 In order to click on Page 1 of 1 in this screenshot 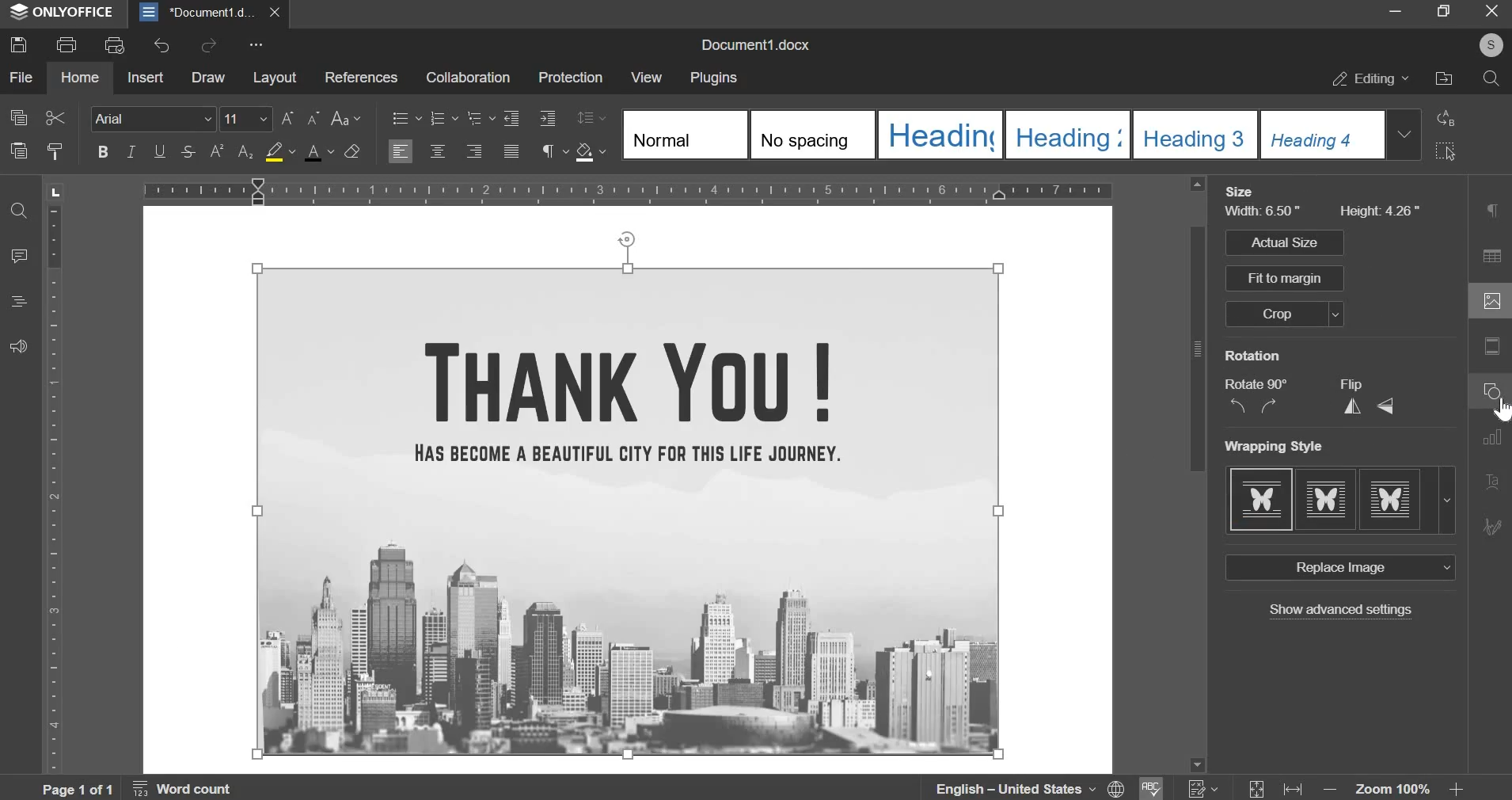, I will do `click(81, 789)`.